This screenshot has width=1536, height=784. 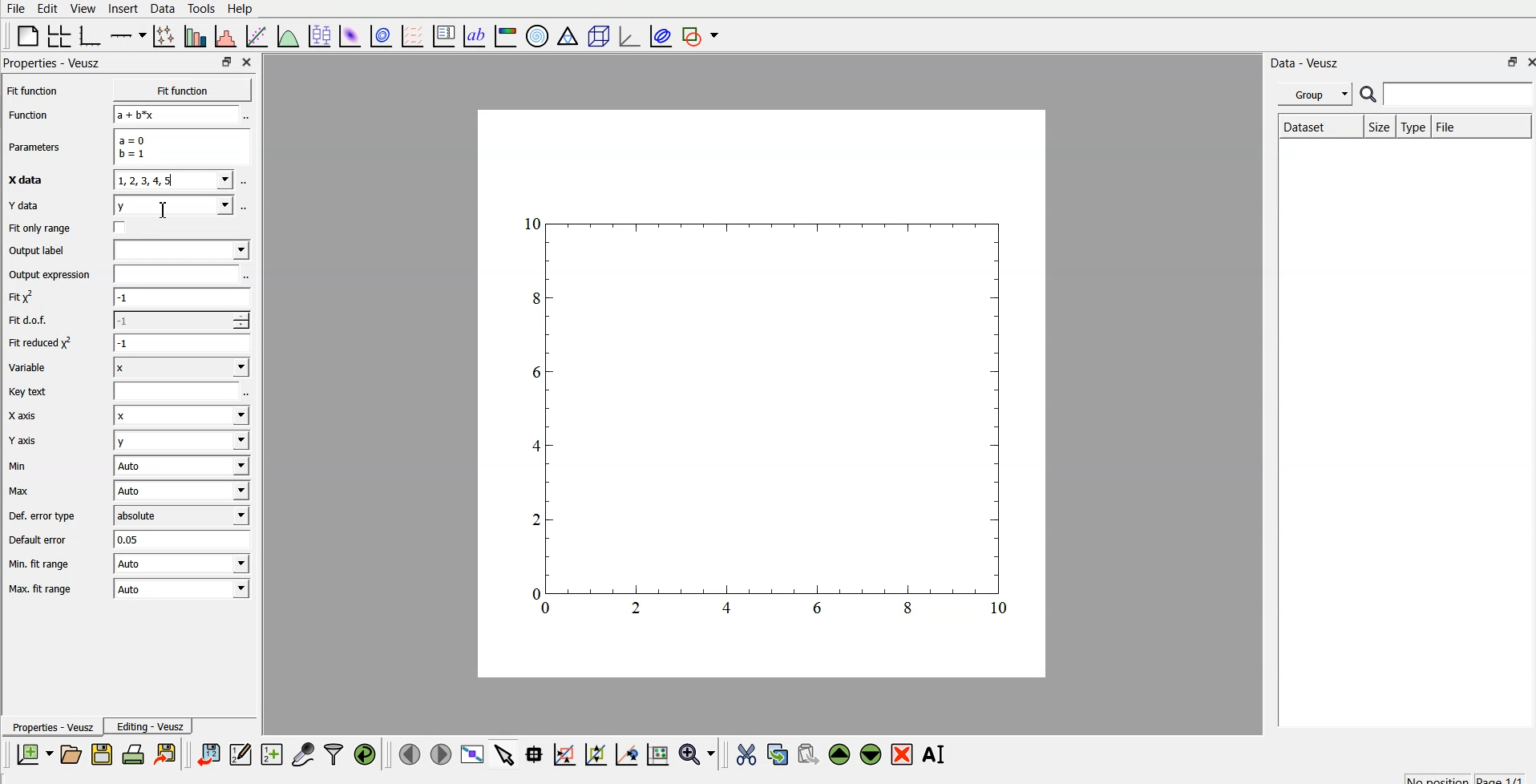 What do you see at coordinates (1320, 126) in the screenshot?
I see ` Dataset` at bounding box center [1320, 126].